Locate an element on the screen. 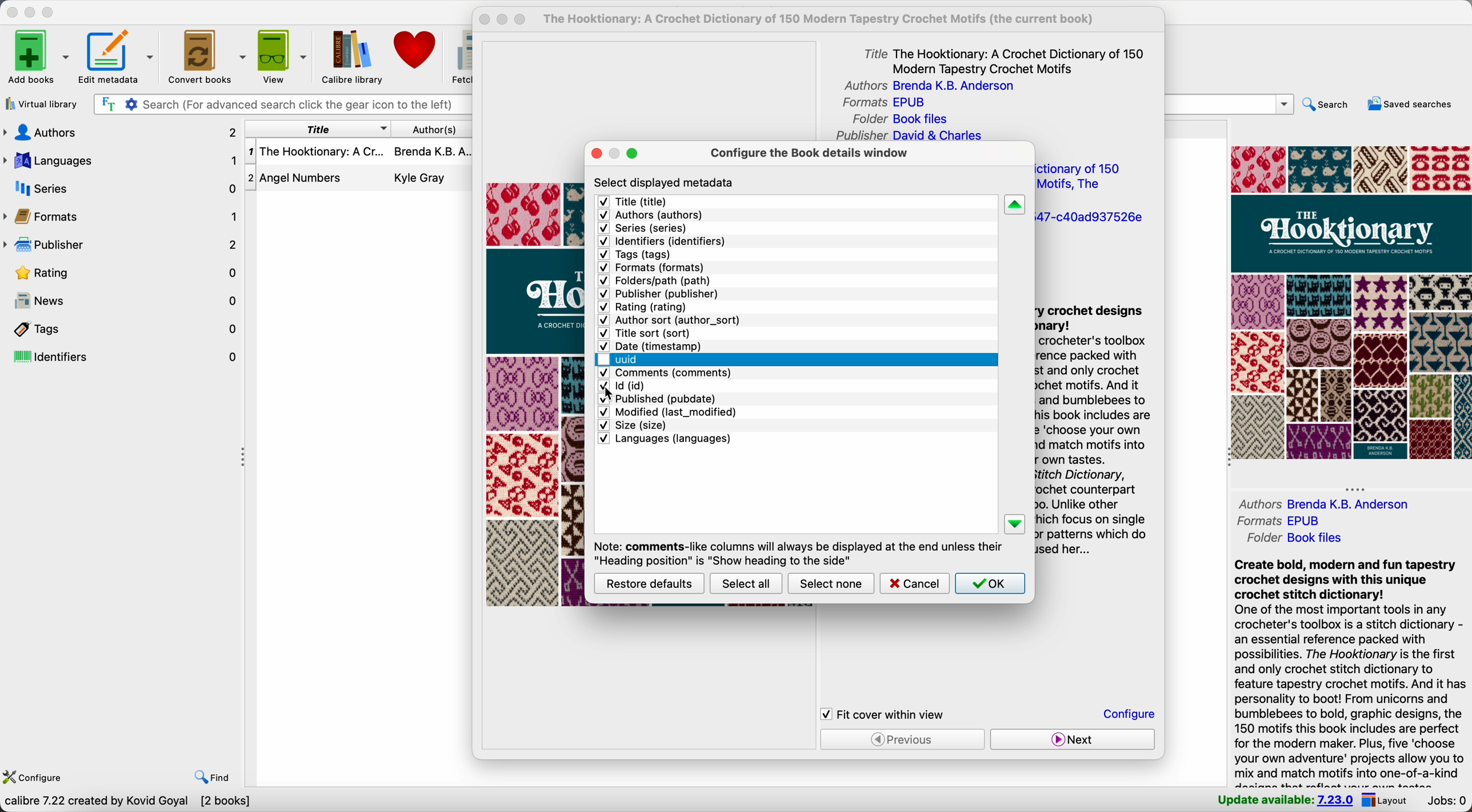 The height and width of the screenshot is (812, 1472). title sort is located at coordinates (1084, 177).